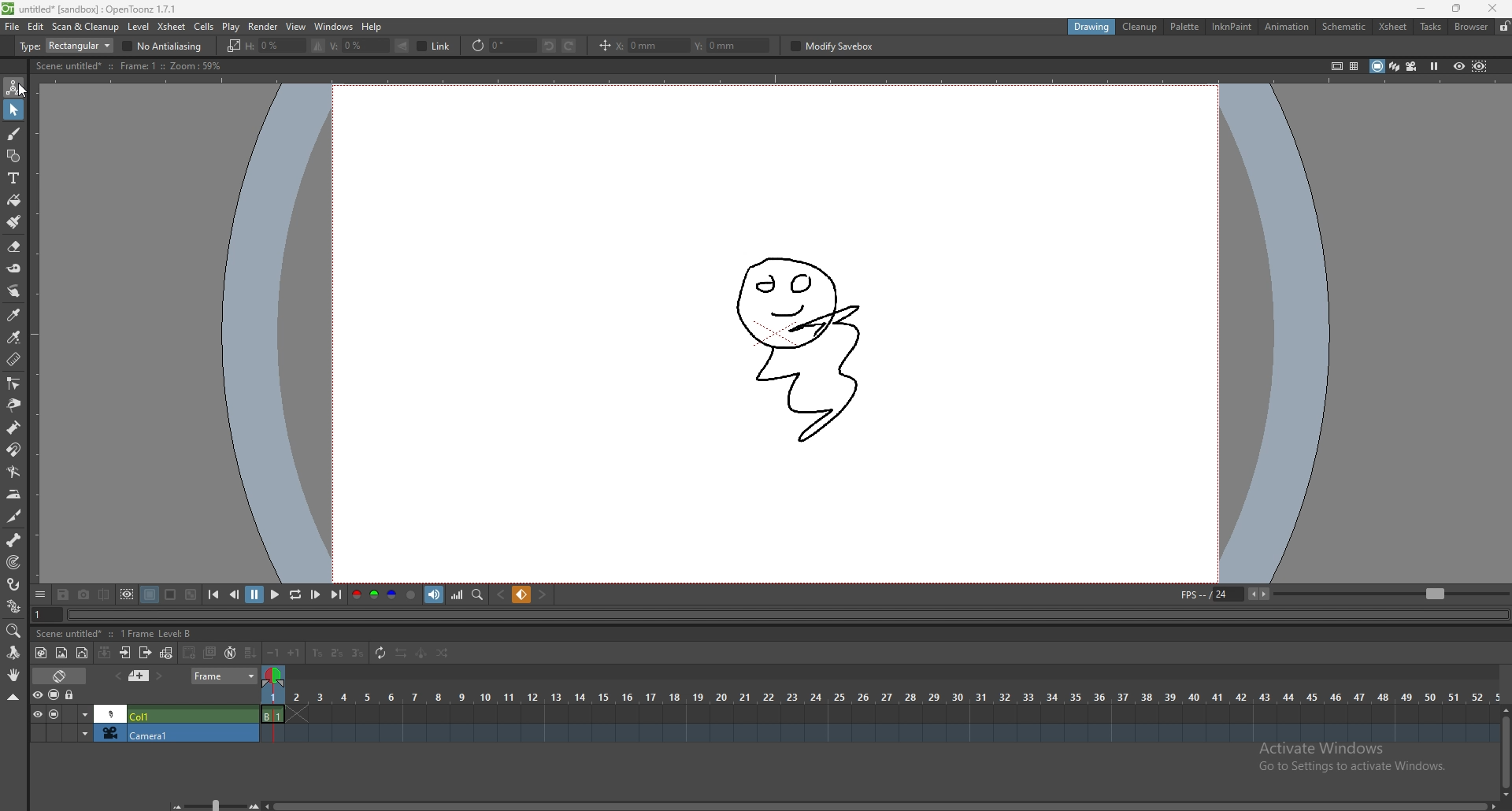 The image size is (1512, 811). I want to click on decrease step, so click(274, 654).